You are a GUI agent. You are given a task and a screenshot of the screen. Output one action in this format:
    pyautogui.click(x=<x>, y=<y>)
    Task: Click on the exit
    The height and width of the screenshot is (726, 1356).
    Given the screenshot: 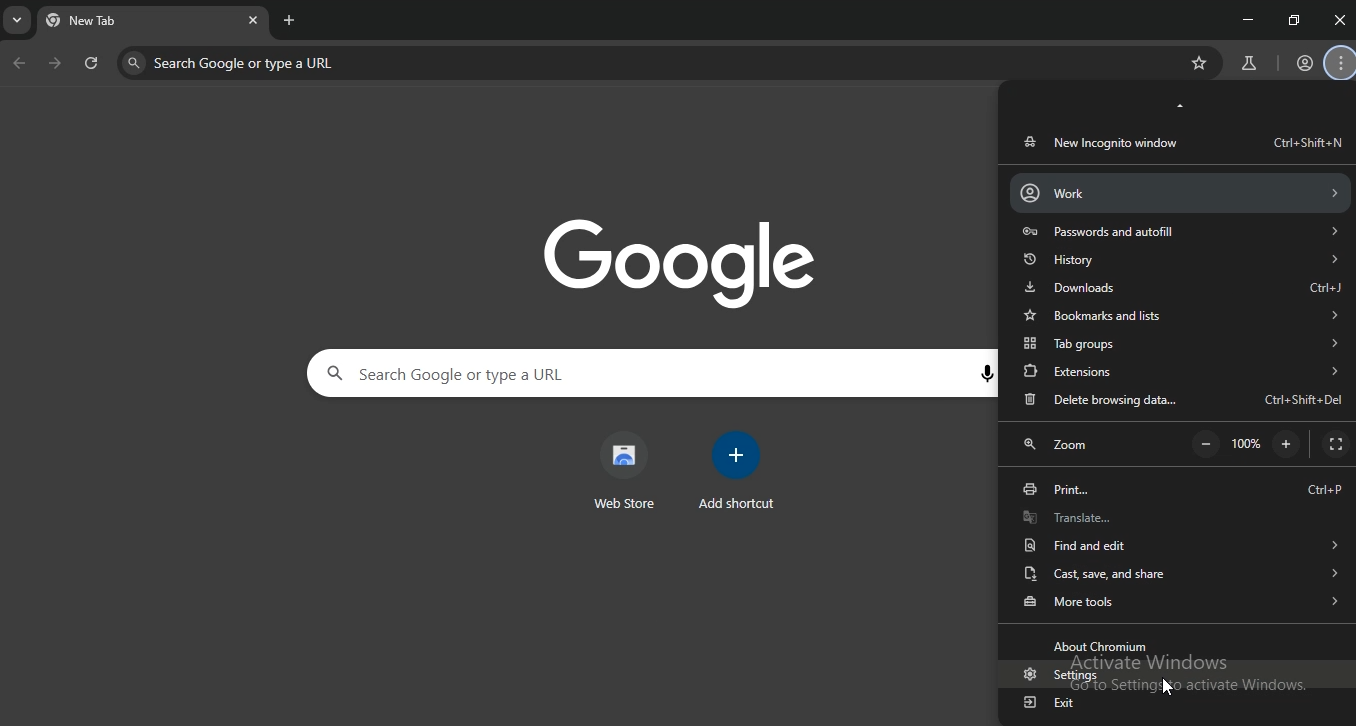 What is the action you would take?
    pyautogui.click(x=1051, y=703)
    